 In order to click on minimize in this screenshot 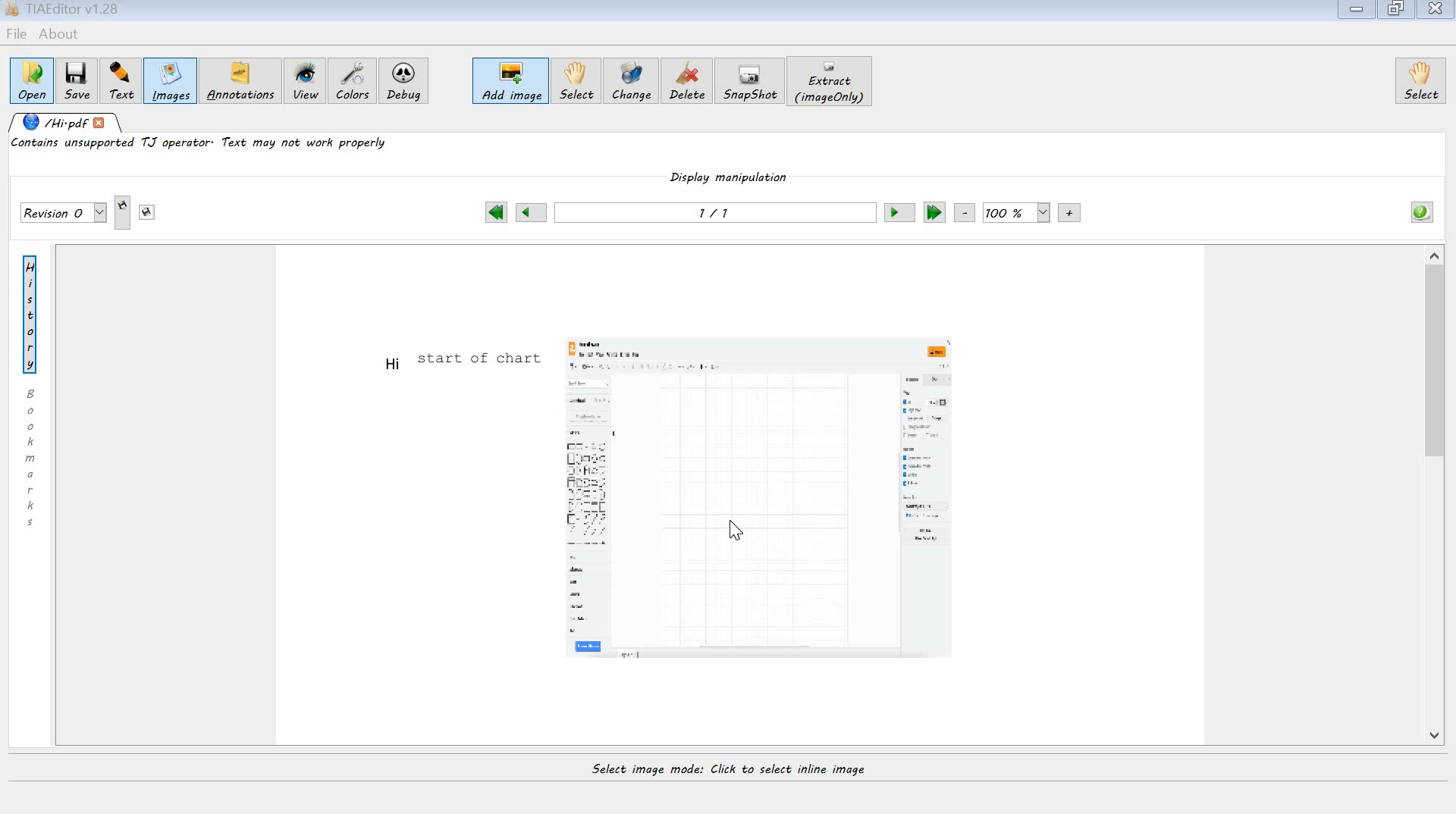, I will do `click(1358, 11)`.